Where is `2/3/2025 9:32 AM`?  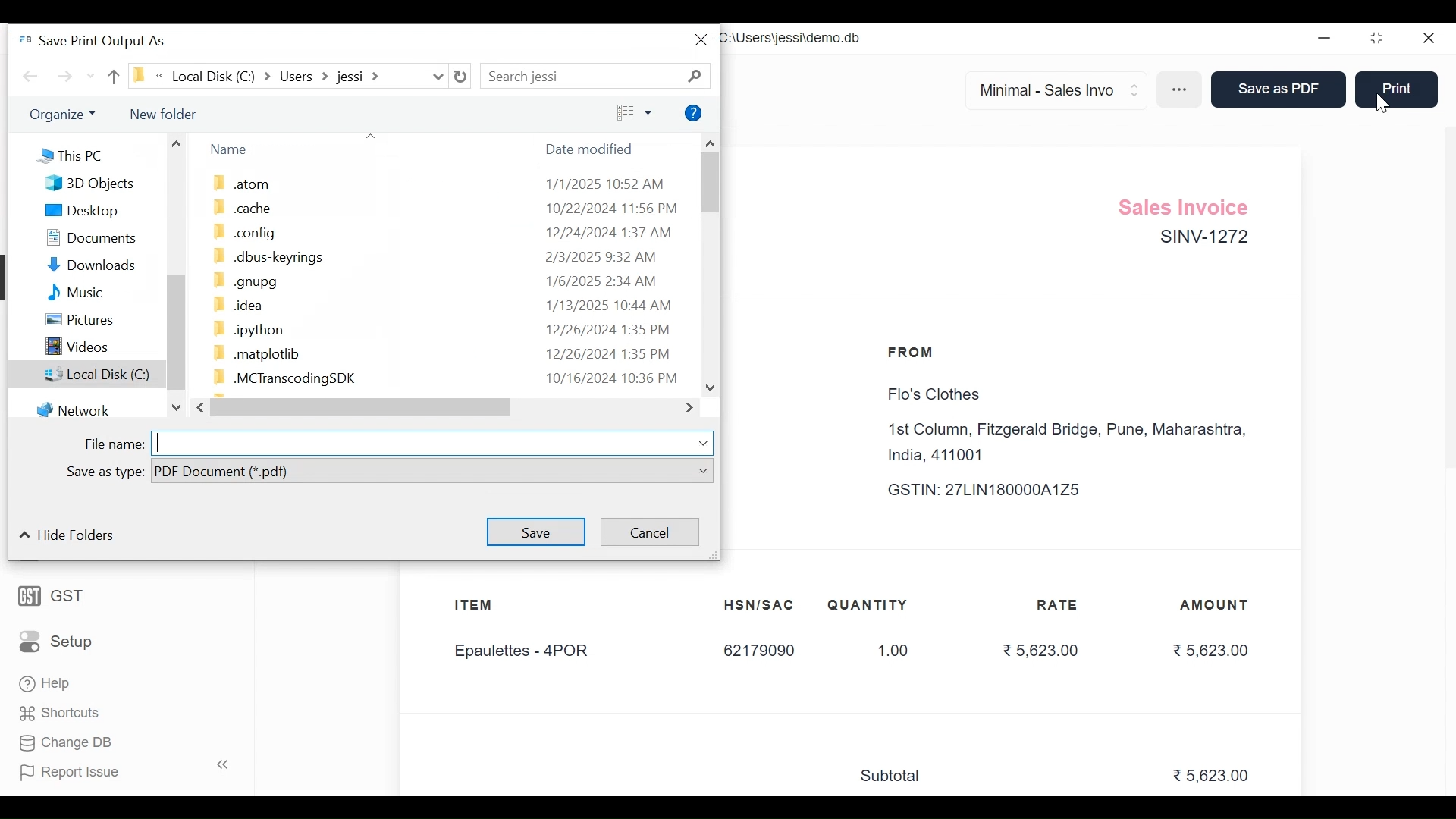
2/3/2025 9:32 AM is located at coordinates (603, 256).